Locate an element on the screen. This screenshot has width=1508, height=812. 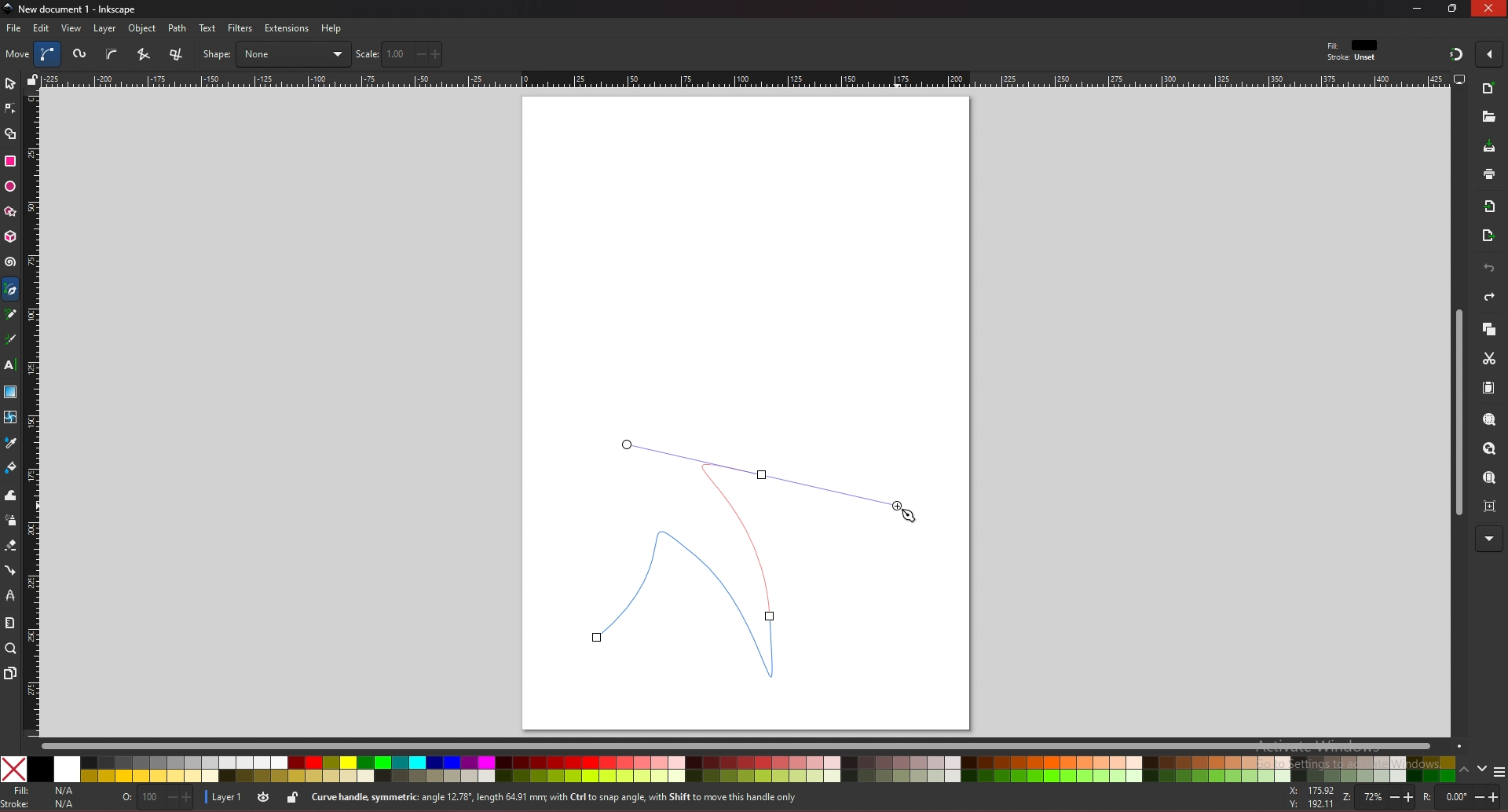
selector is located at coordinates (10, 83).